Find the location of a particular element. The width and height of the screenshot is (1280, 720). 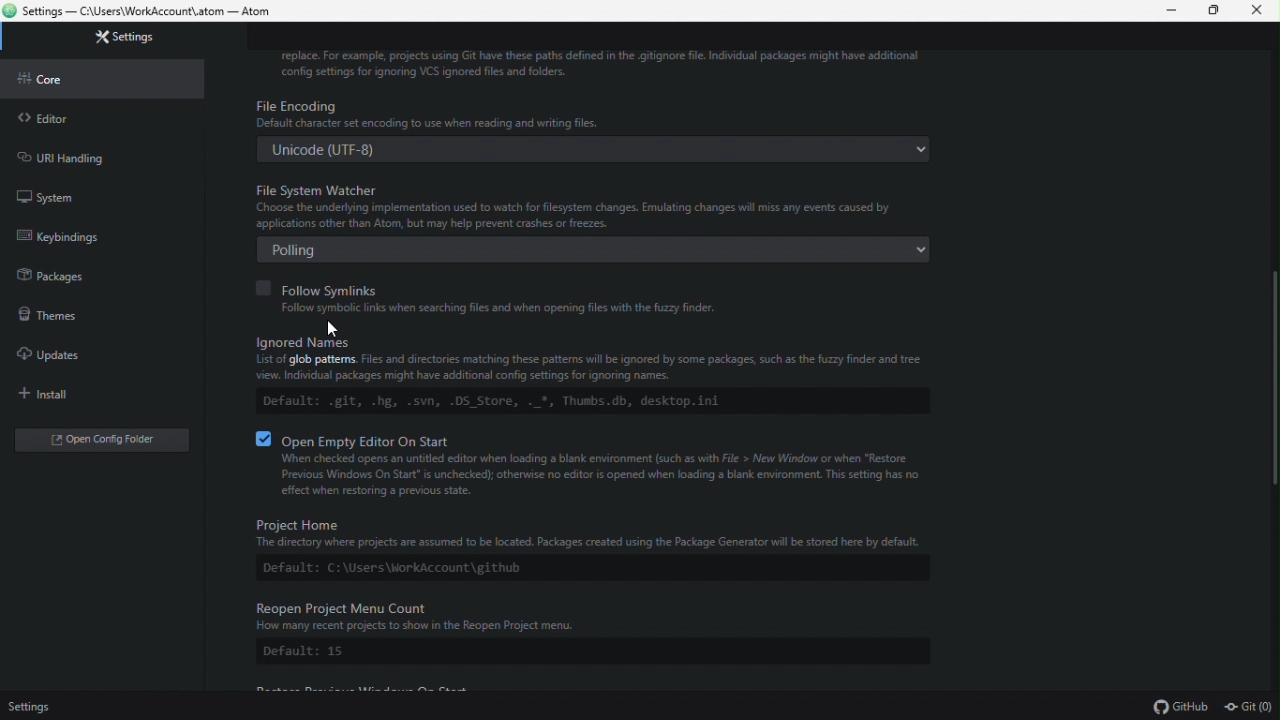

close is located at coordinates (1258, 11).